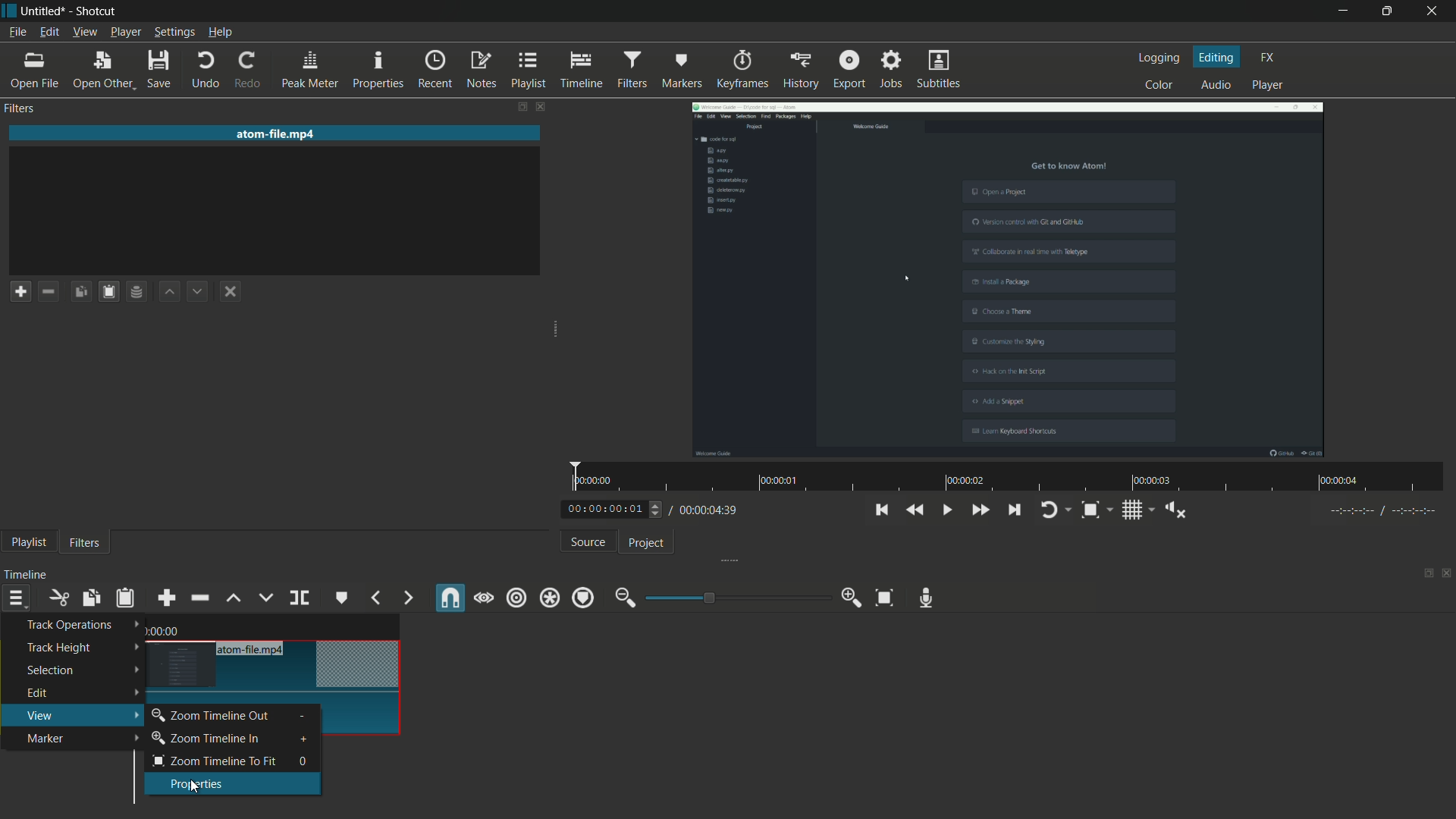  Describe the element at coordinates (80, 693) in the screenshot. I see `edit` at that location.